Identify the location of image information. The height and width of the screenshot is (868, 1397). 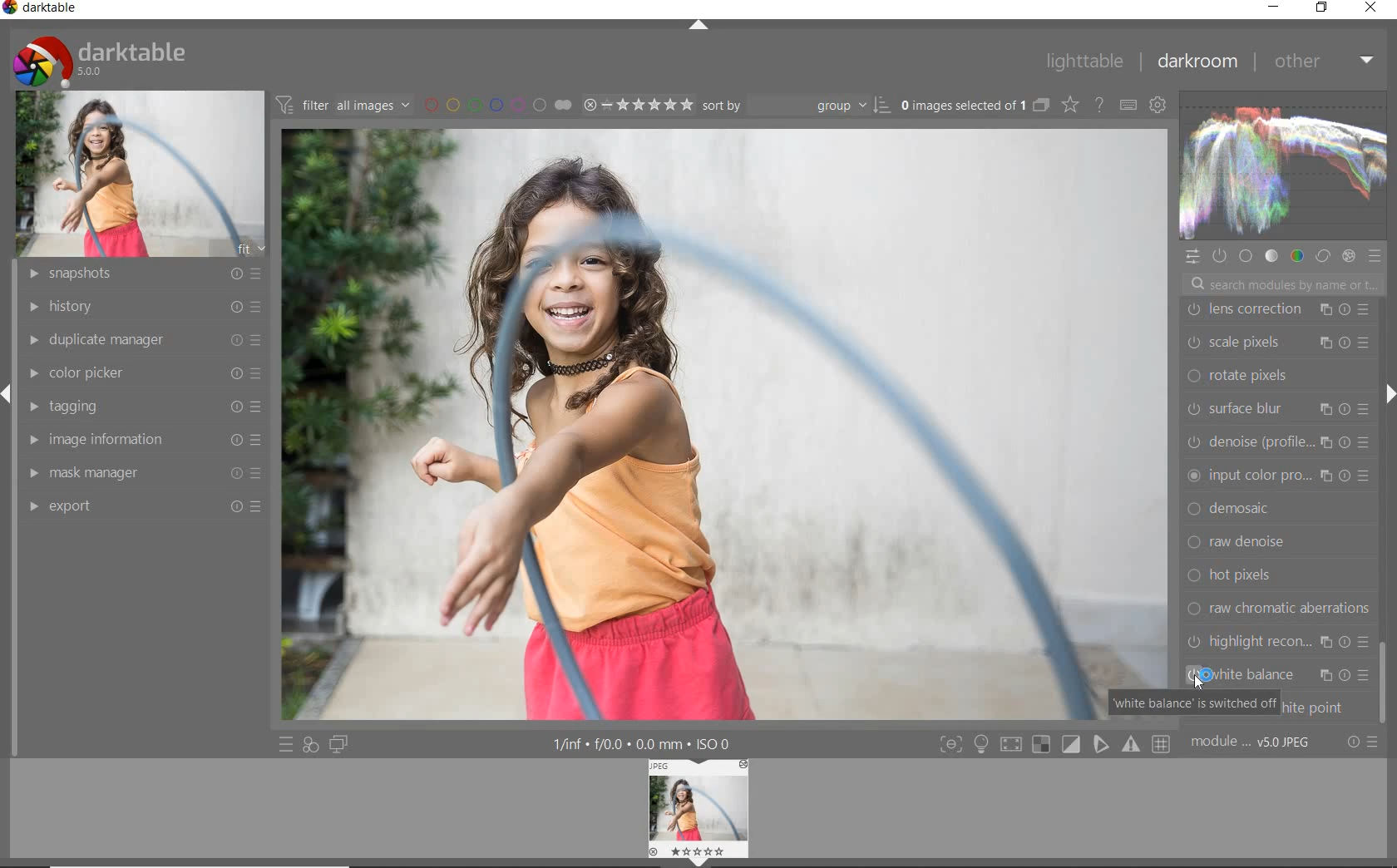
(142, 439).